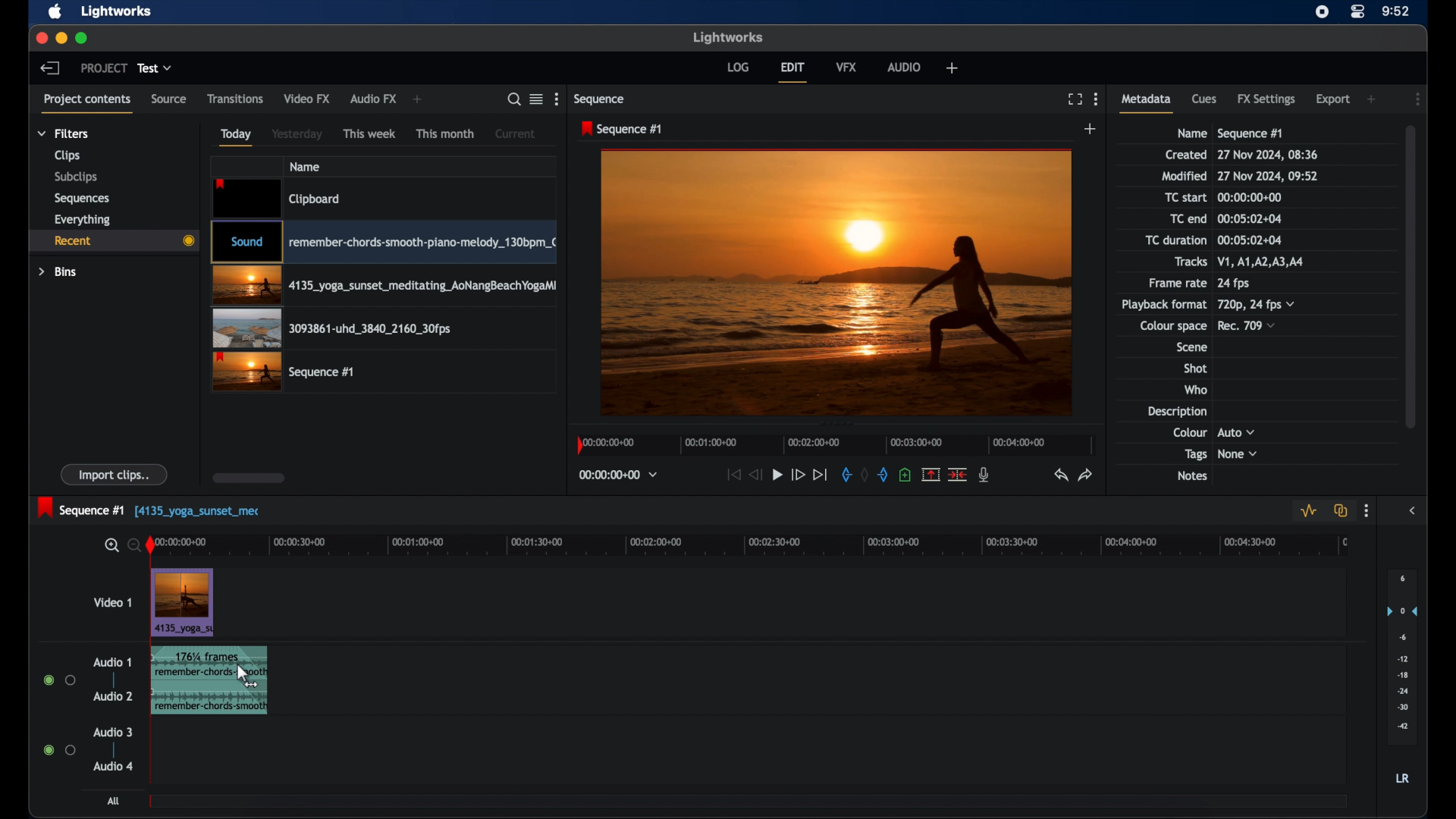 This screenshot has width=1456, height=819. Describe the element at coordinates (113, 732) in the screenshot. I see `audio 3` at that location.